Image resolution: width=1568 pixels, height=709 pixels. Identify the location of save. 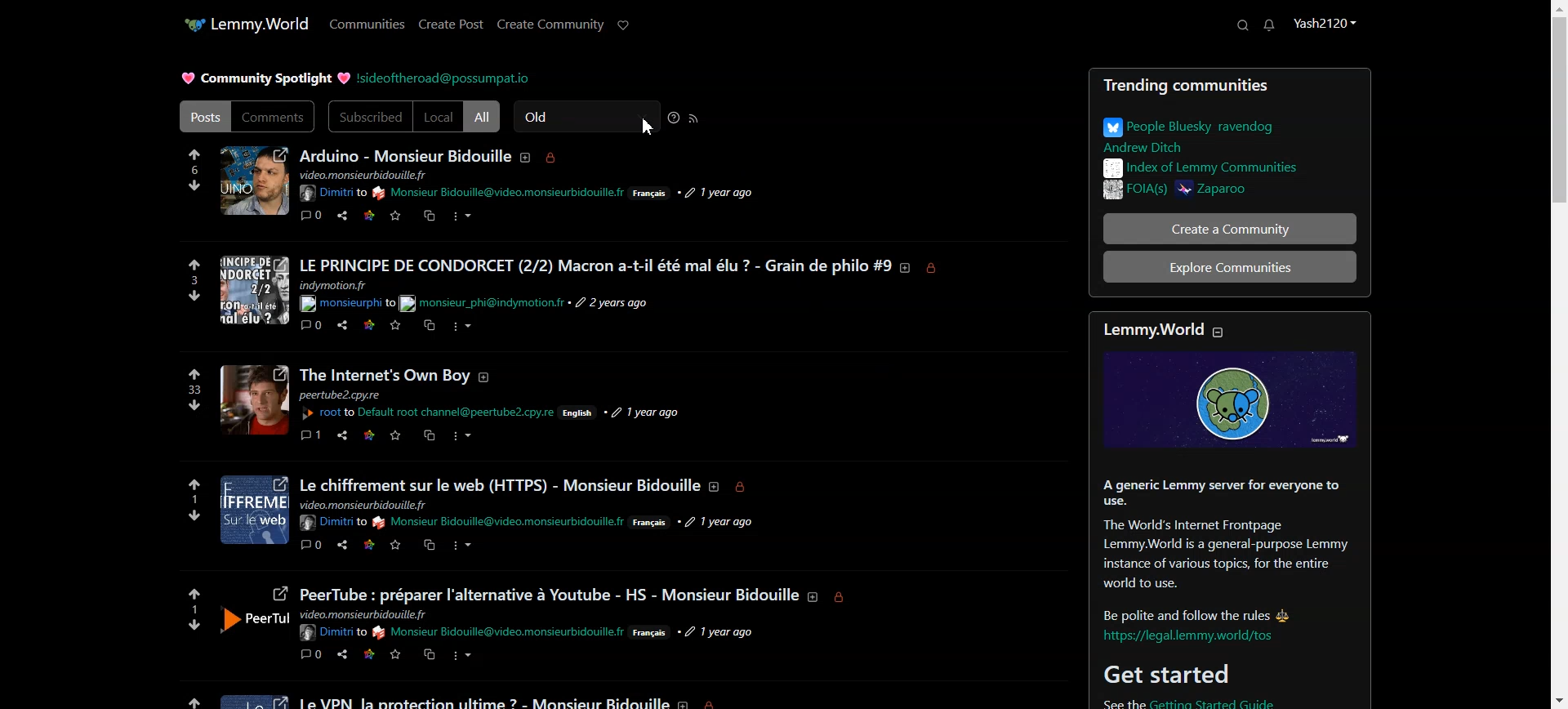
(395, 544).